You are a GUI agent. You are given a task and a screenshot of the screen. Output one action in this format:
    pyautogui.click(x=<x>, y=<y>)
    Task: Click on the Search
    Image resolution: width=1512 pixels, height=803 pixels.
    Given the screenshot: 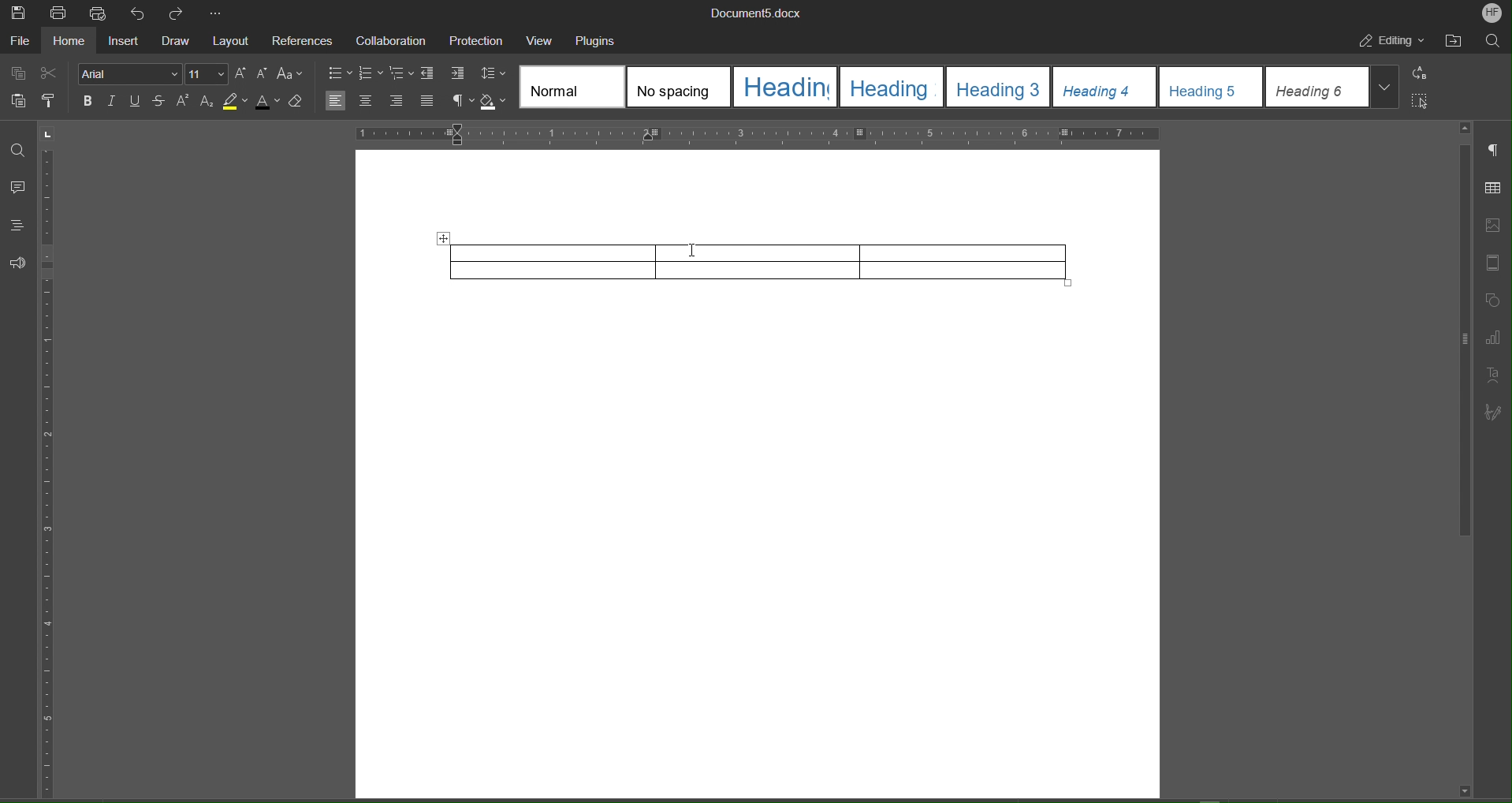 What is the action you would take?
    pyautogui.click(x=1494, y=43)
    